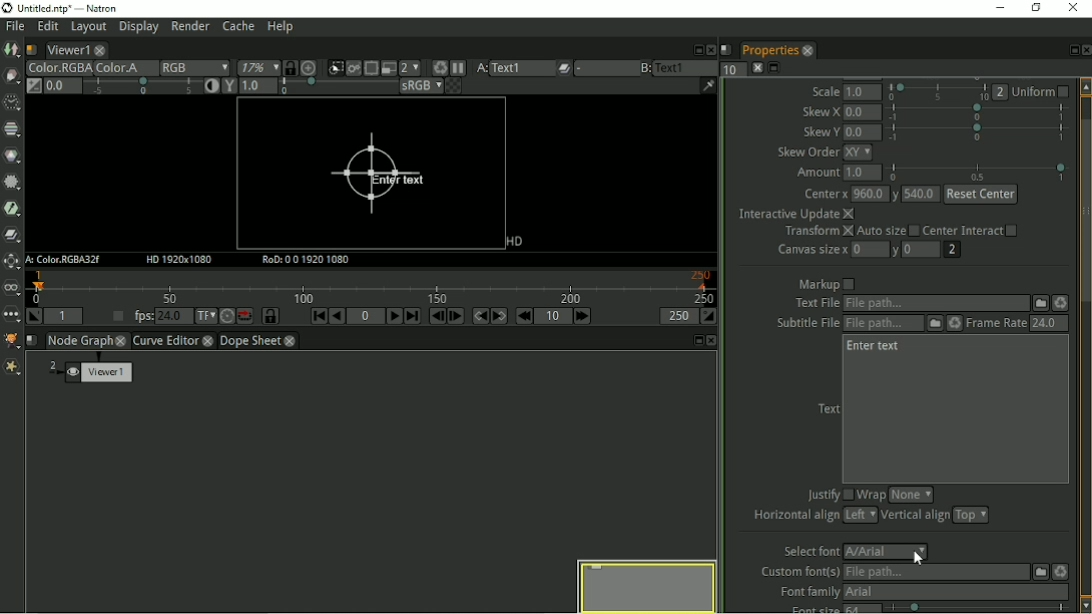 Image resolution: width=1092 pixels, height=614 pixels. Describe the element at coordinates (290, 342) in the screenshot. I see `close` at that location.